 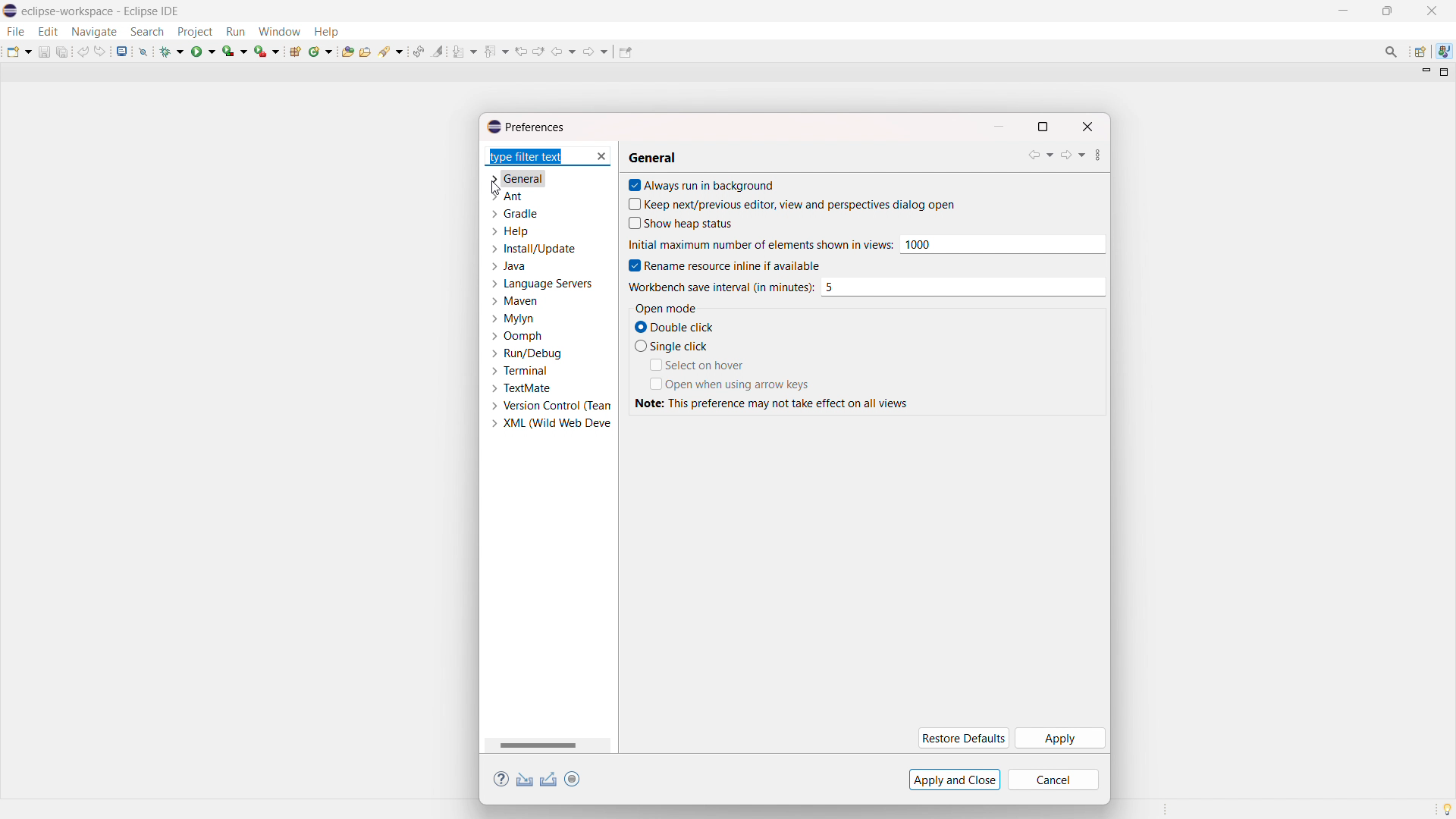 What do you see at coordinates (279, 31) in the screenshot?
I see `window` at bounding box center [279, 31].